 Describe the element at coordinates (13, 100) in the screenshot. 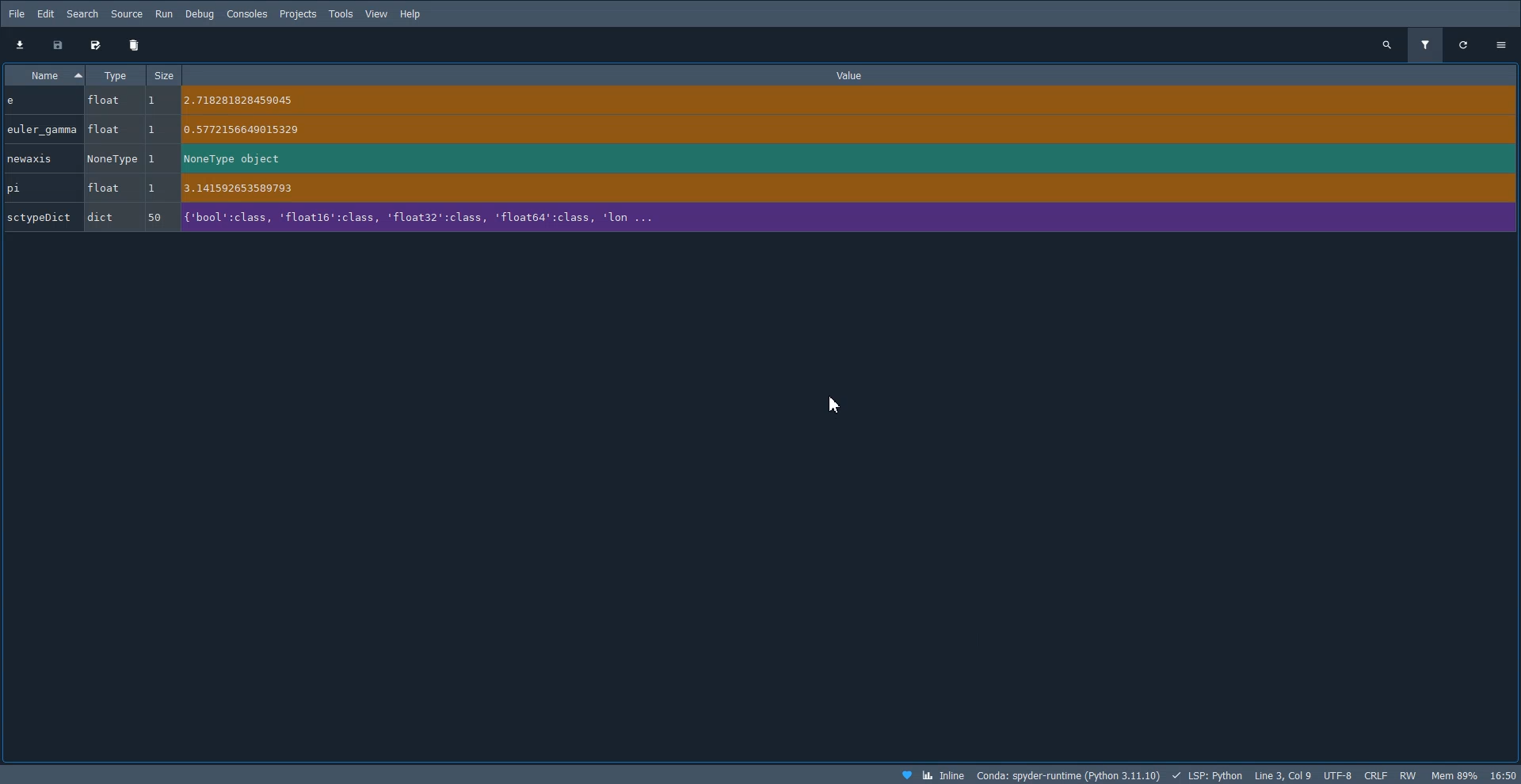

I see `e` at that location.